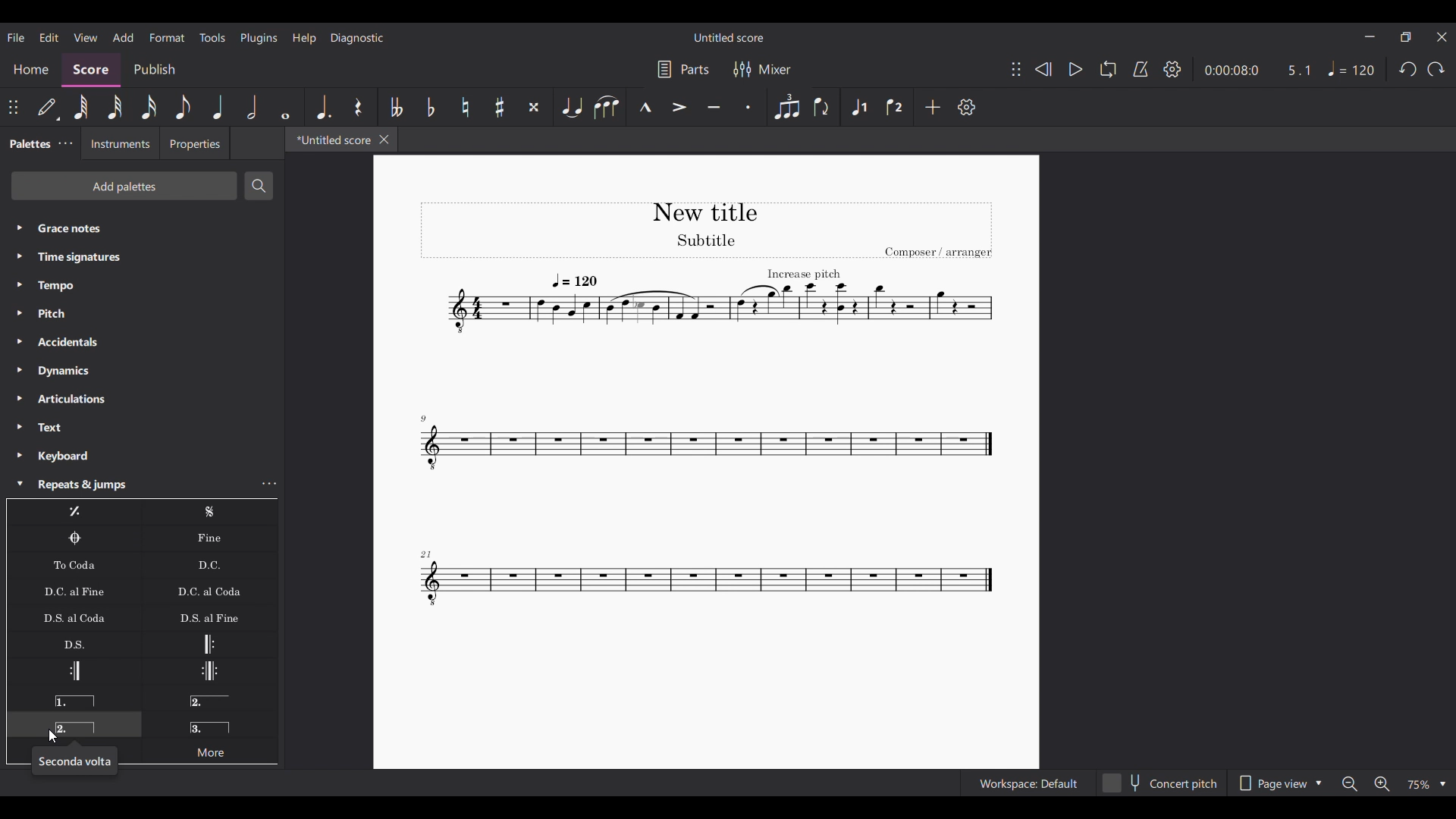  Describe the element at coordinates (143, 399) in the screenshot. I see `Articulations` at that location.